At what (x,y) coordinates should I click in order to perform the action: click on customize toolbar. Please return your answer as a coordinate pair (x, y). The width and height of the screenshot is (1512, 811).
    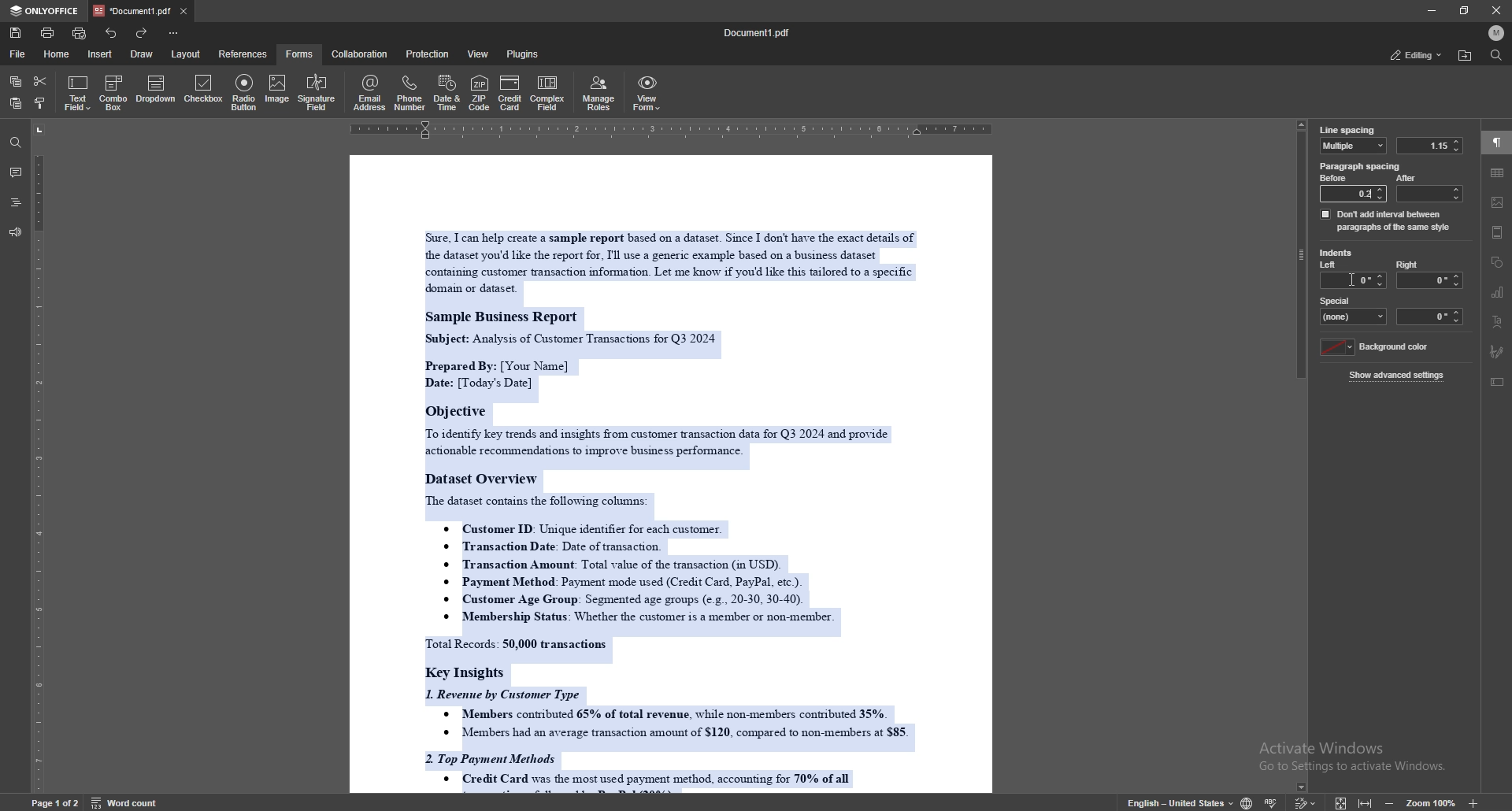
    Looking at the image, I should click on (172, 32).